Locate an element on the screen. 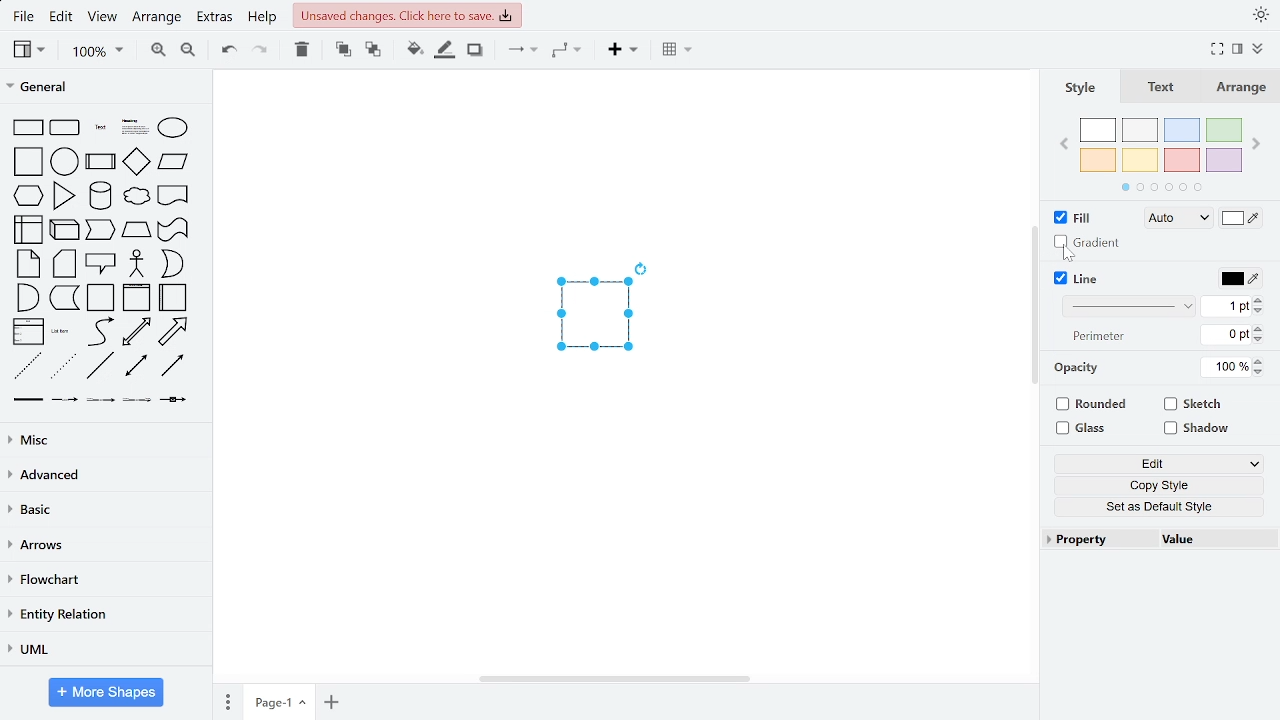 The image size is (1280, 720). vertical scroll bar is located at coordinates (1033, 309).